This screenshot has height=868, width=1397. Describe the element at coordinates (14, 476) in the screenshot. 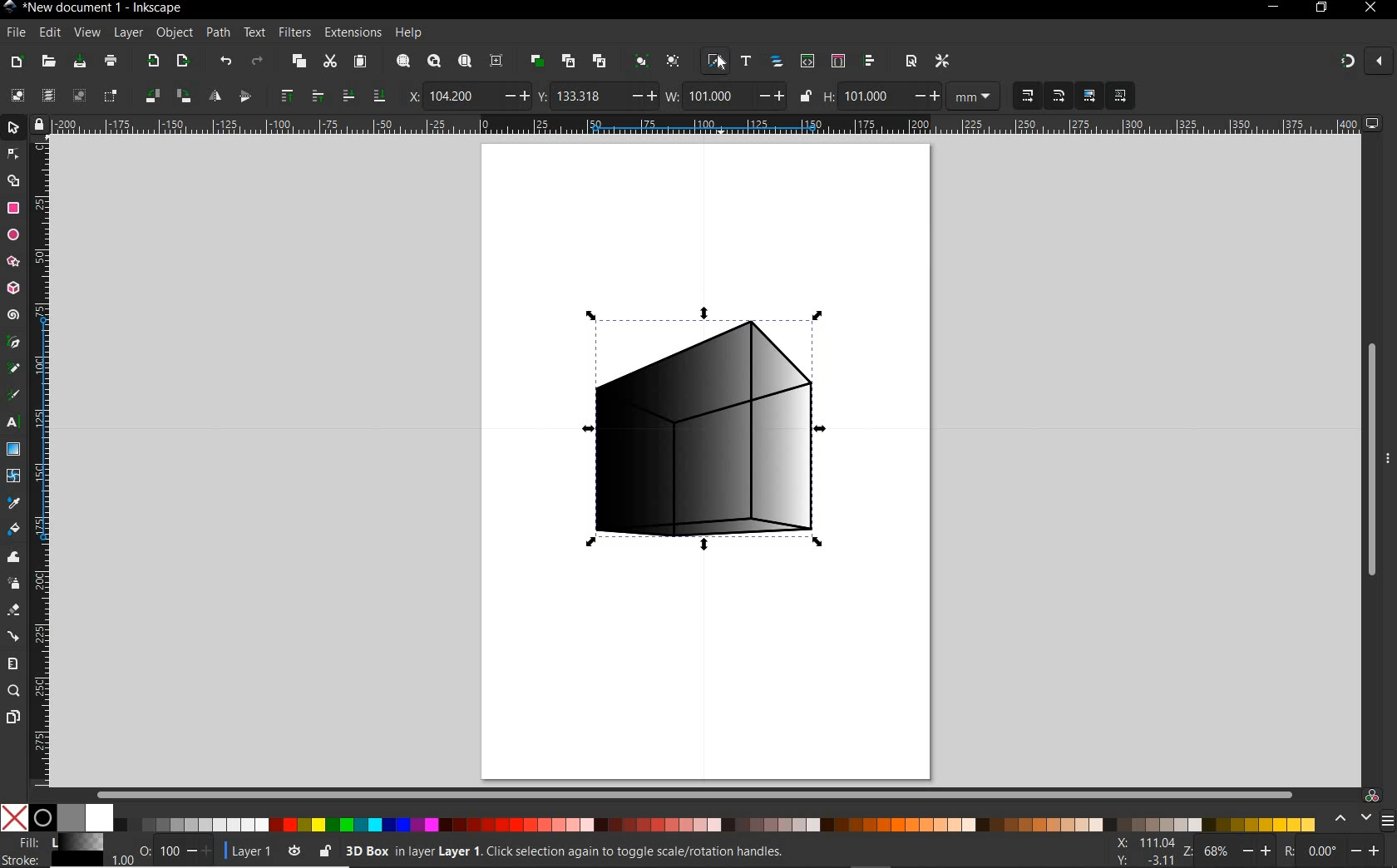

I see `MESH TOOL` at that location.